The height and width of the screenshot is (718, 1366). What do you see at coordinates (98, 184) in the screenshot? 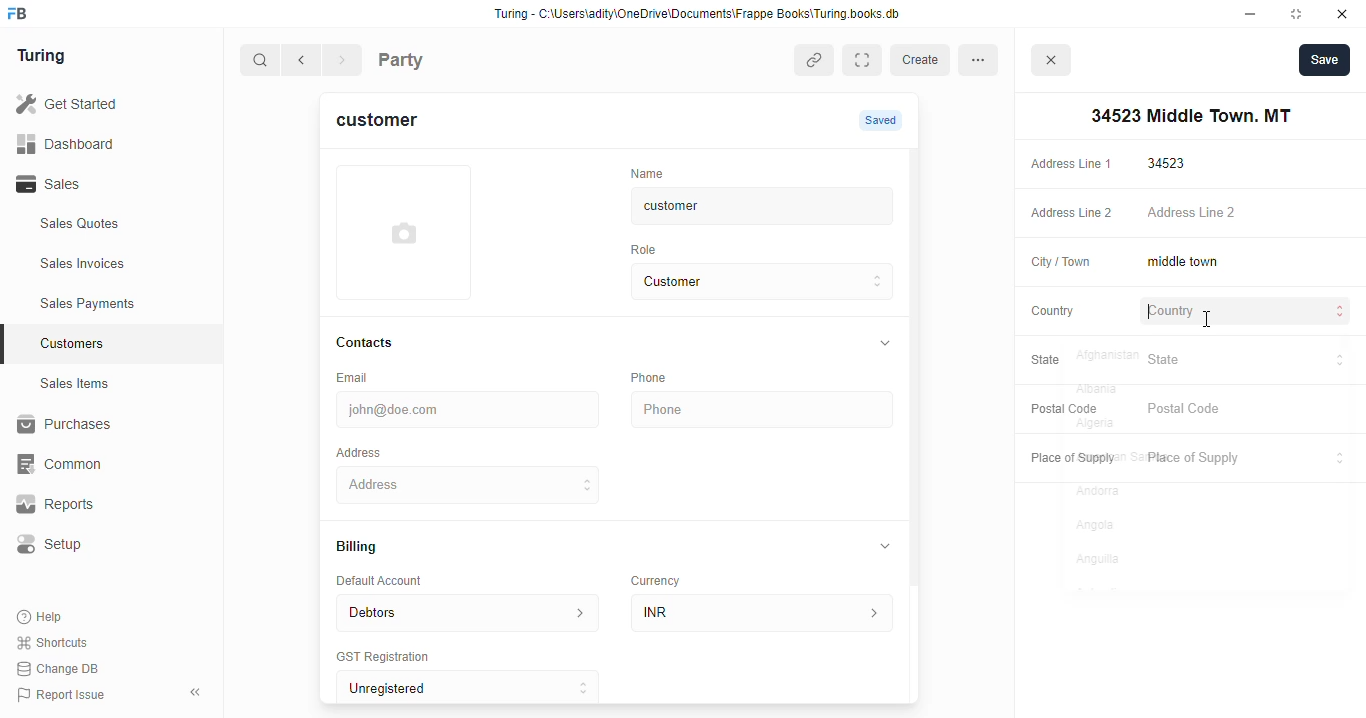
I see `Sales` at bounding box center [98, 184].